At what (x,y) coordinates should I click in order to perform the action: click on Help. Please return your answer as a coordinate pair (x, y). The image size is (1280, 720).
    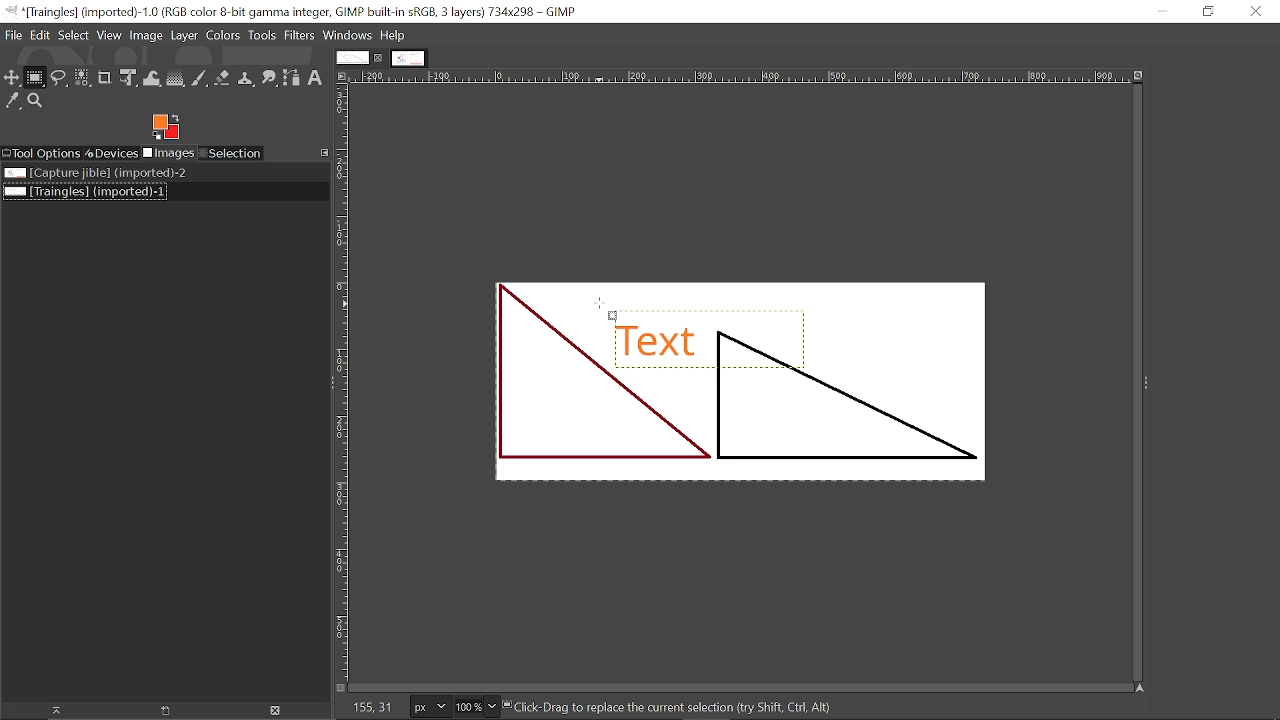
    Looking at the image, I should click on (393, 35).